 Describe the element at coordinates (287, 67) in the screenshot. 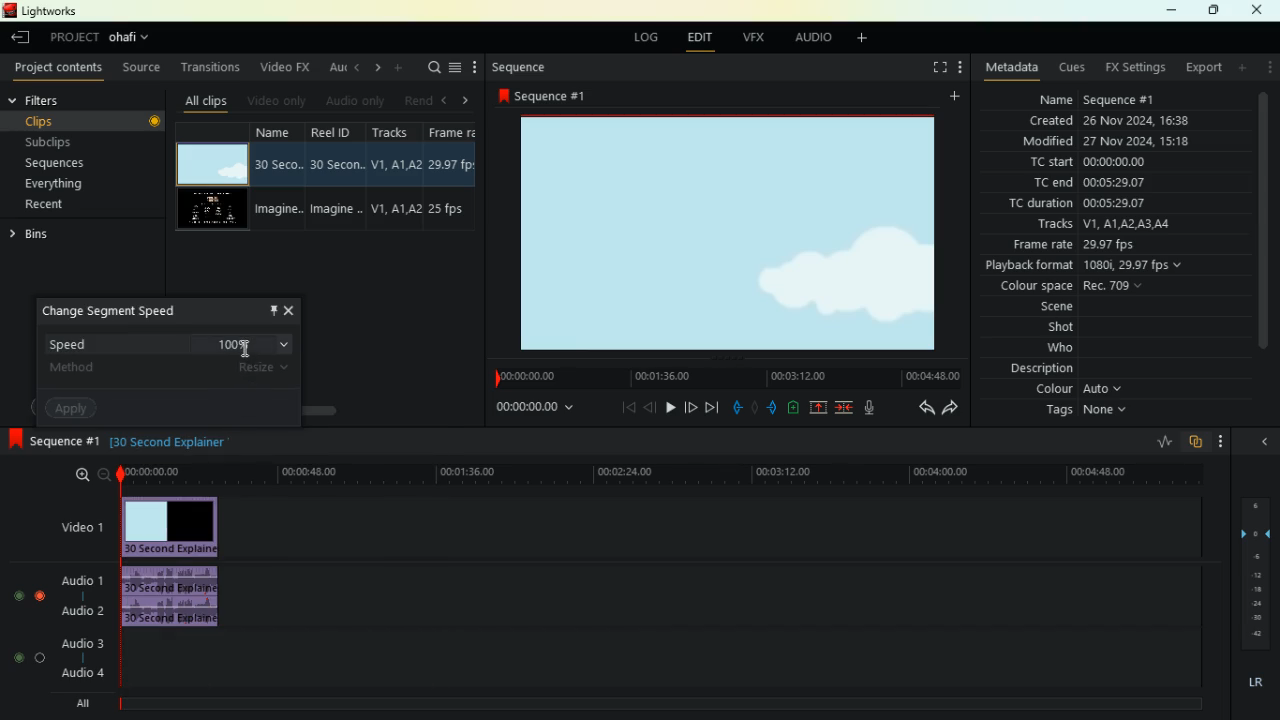

I see `video fx` at that location.